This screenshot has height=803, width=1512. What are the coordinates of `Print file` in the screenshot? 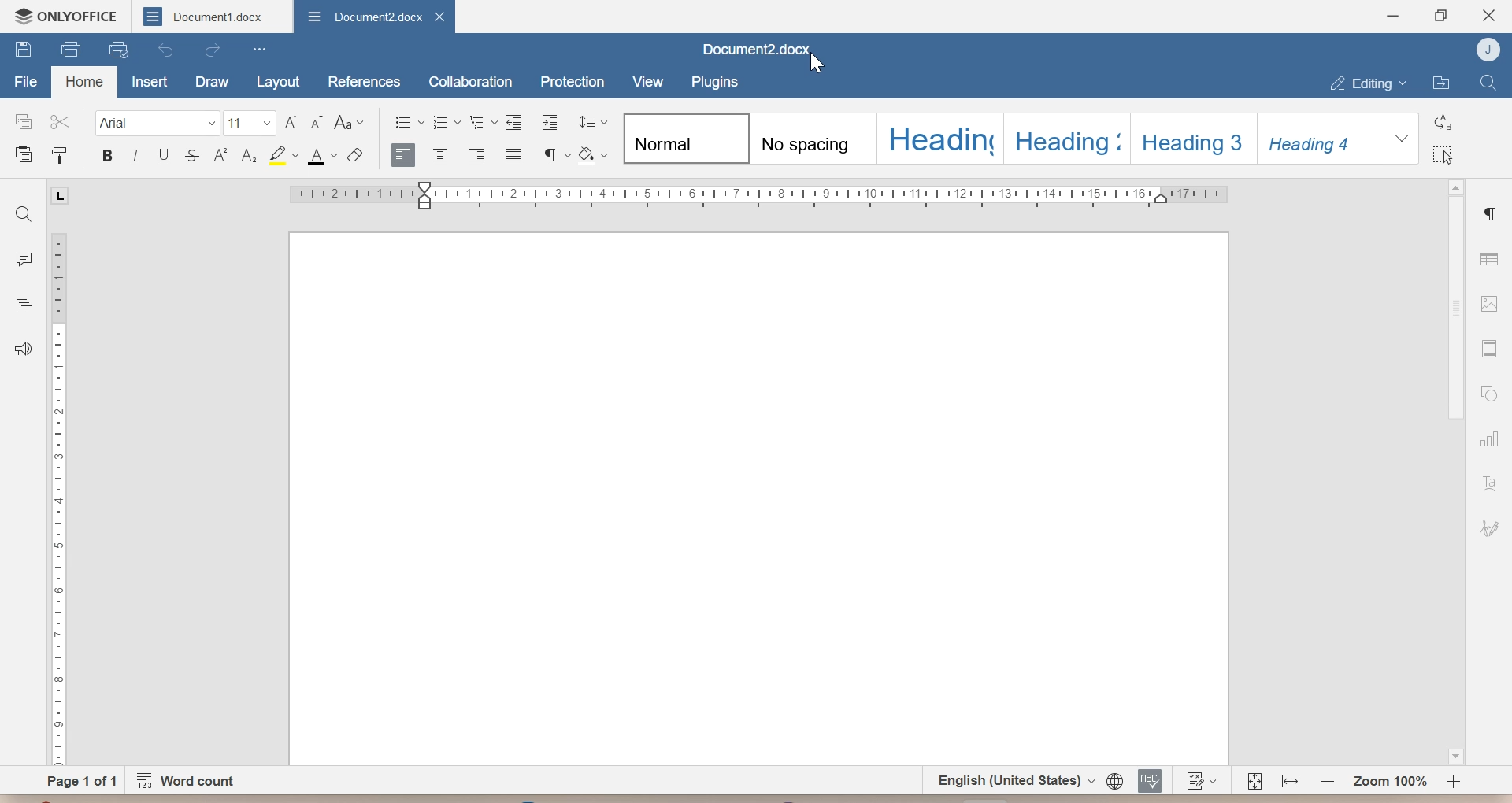 It's located at (69, 49).